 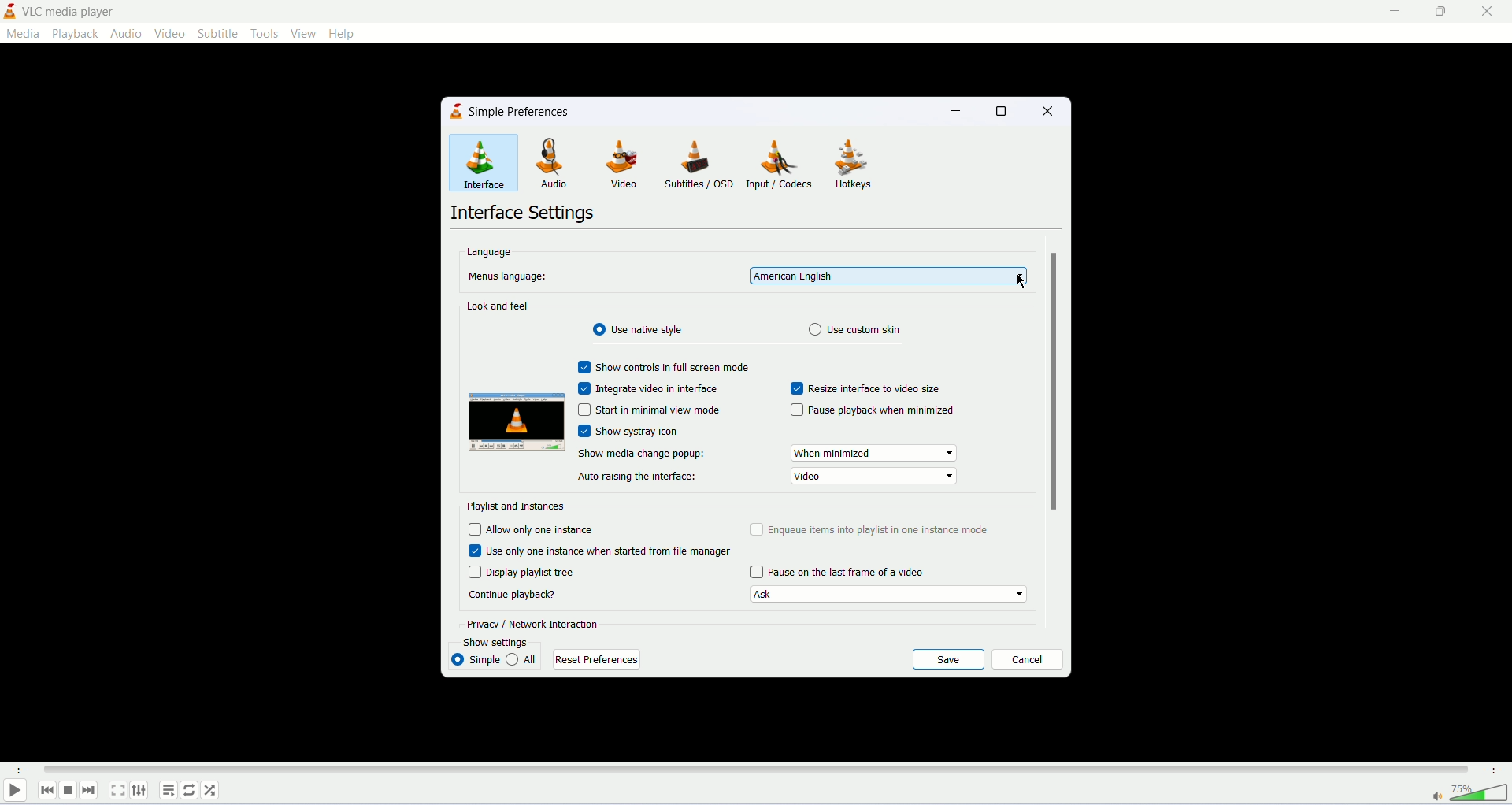 I want to click on enqueue items into playlist in one instance mode, so click(x=871, y=529).